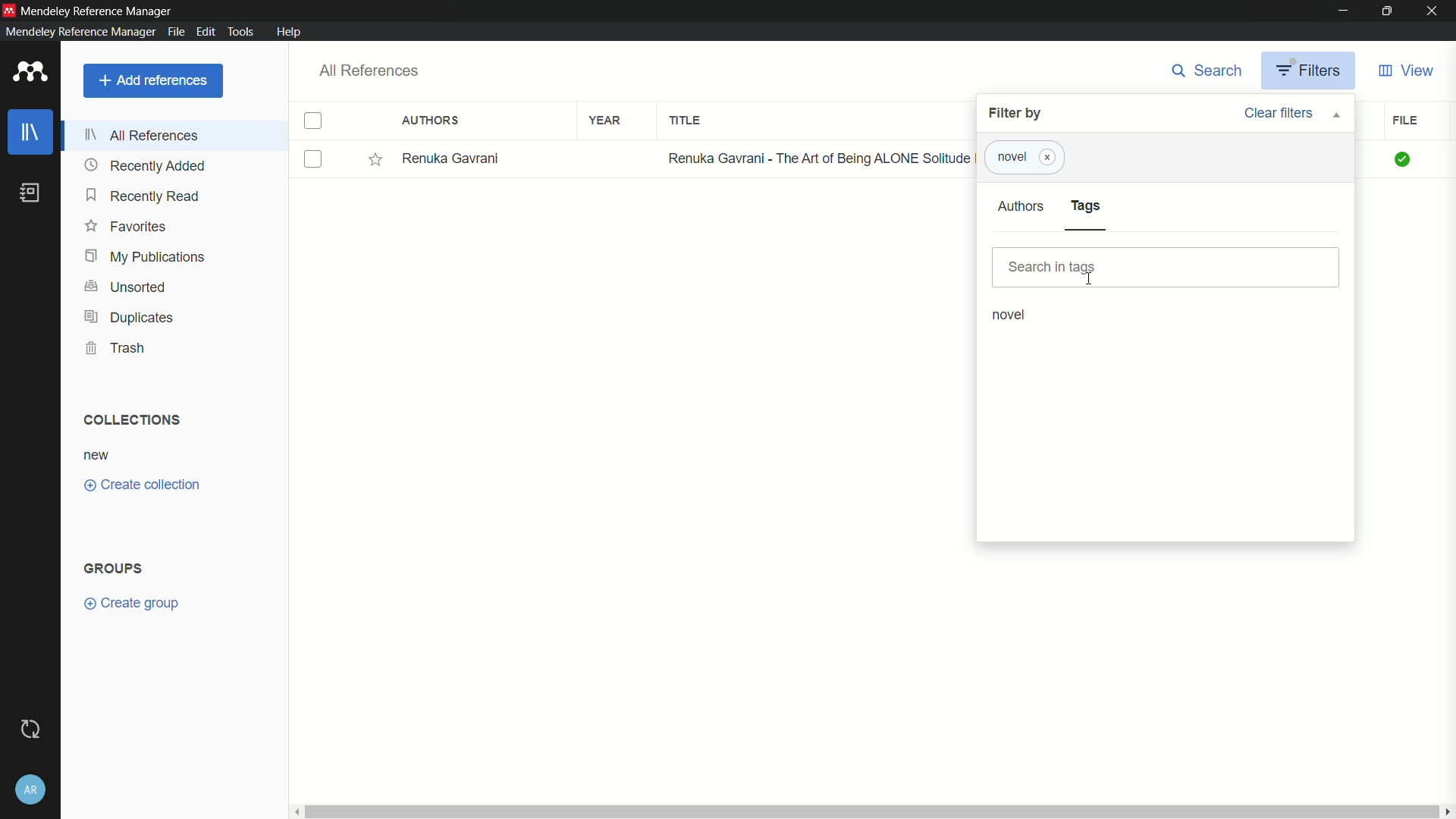 The image size is (1456, 819). Describe the element at coordinates (1087, 206) in the screenshot. I see `tags` at that location.